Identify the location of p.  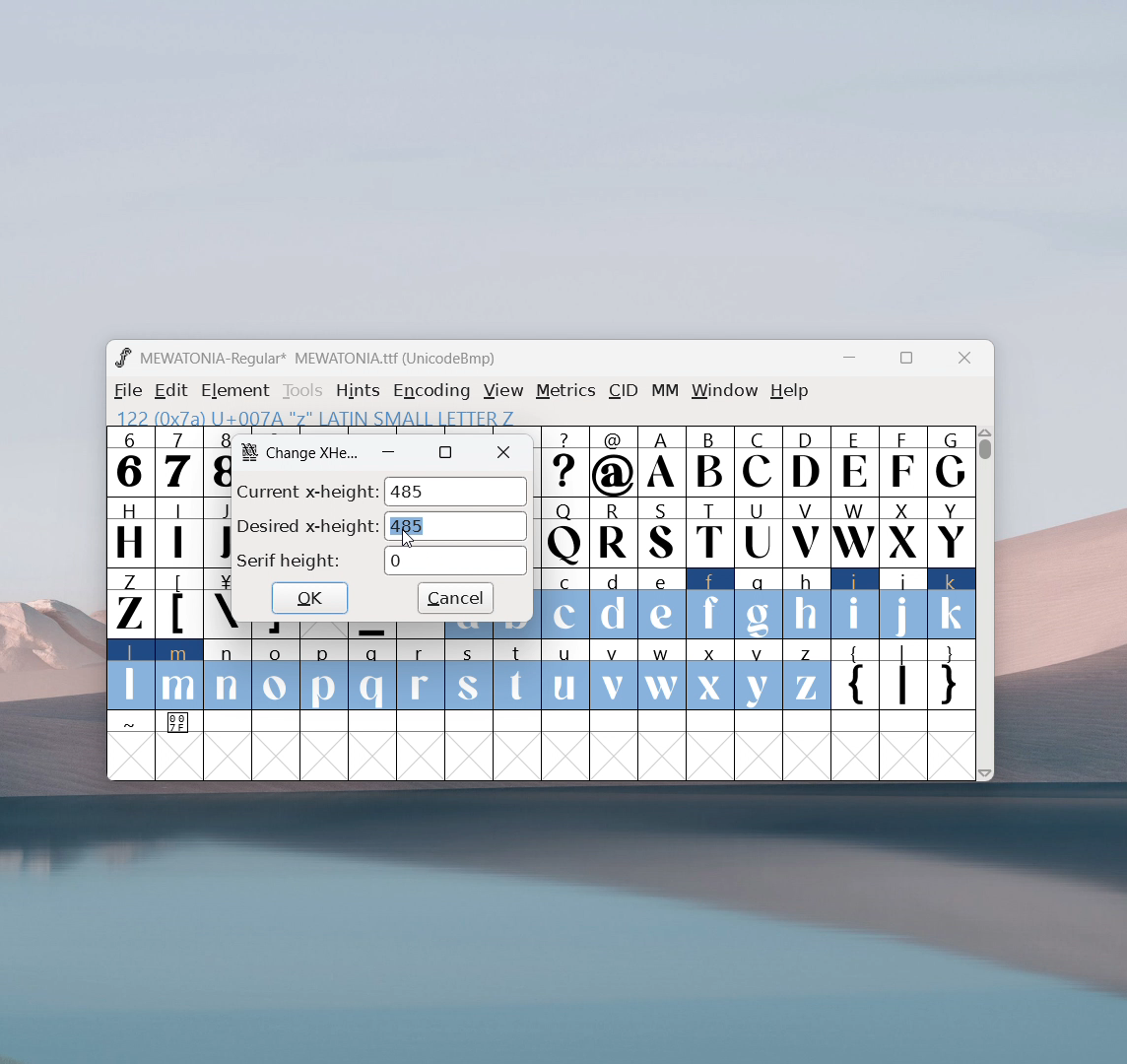
(326, 676).